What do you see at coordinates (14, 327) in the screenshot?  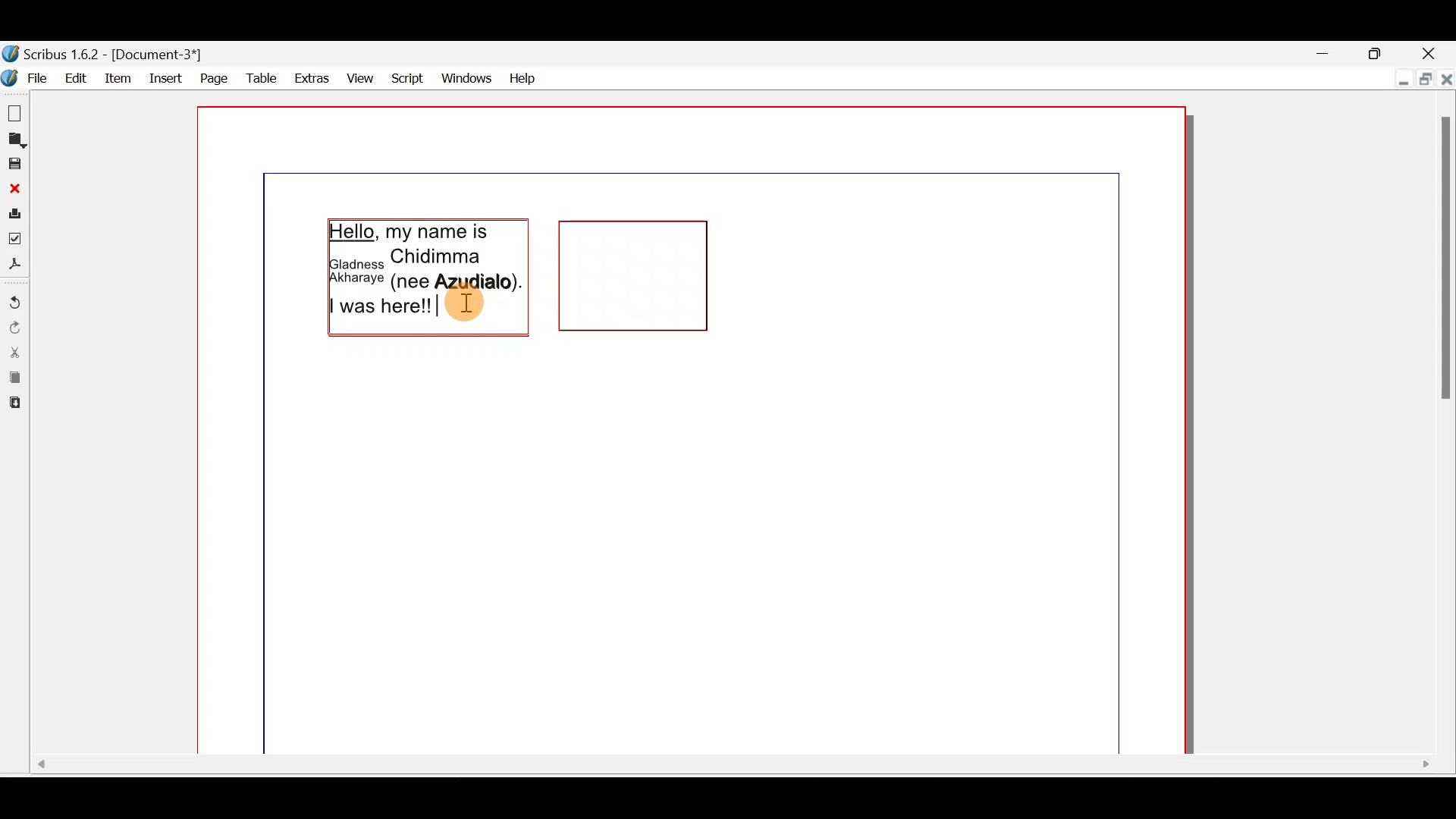 I see `Redo` at bounding box center [14, 327].